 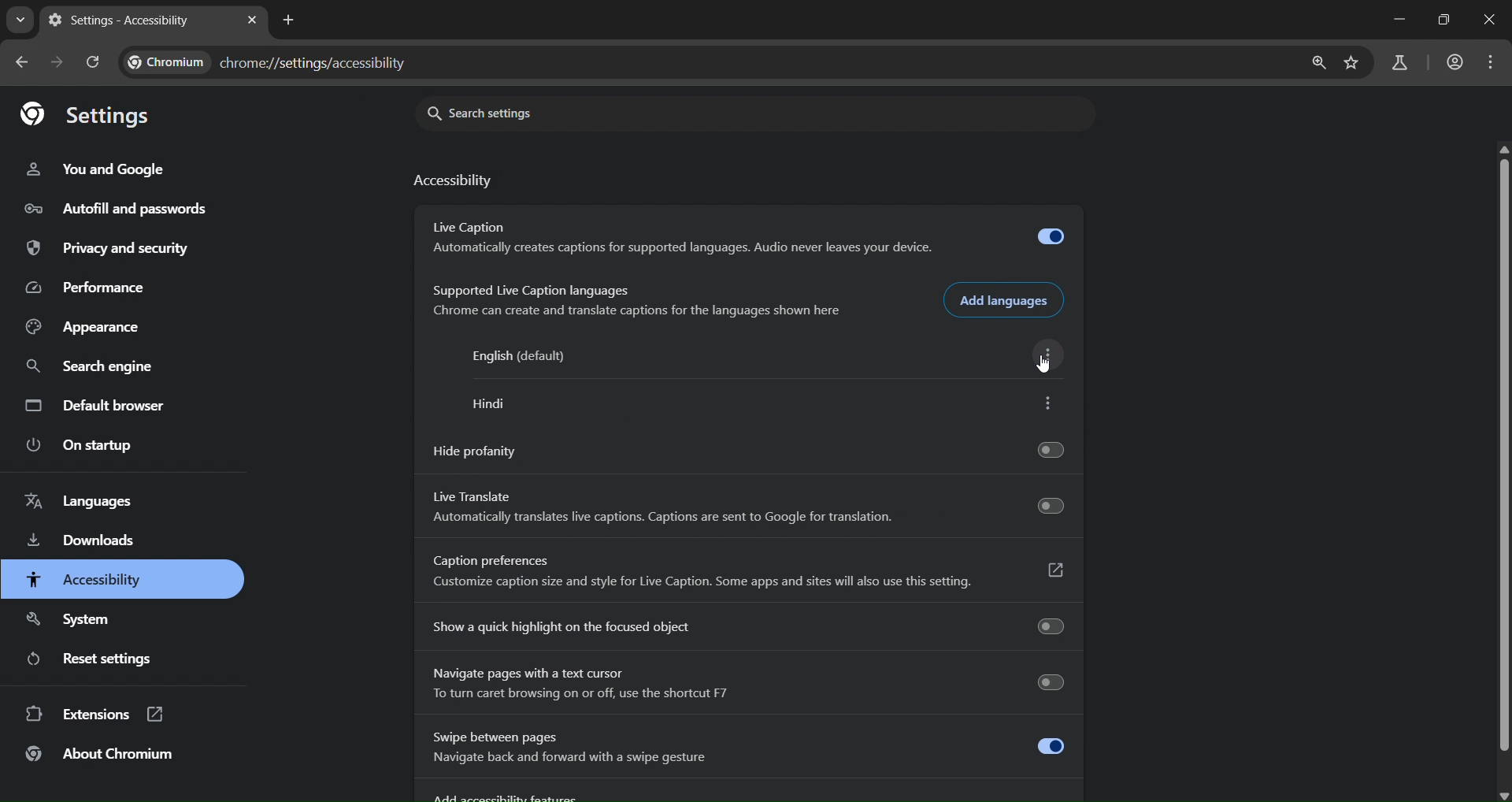 I want to click on hindi, so click(x=513, y=406).